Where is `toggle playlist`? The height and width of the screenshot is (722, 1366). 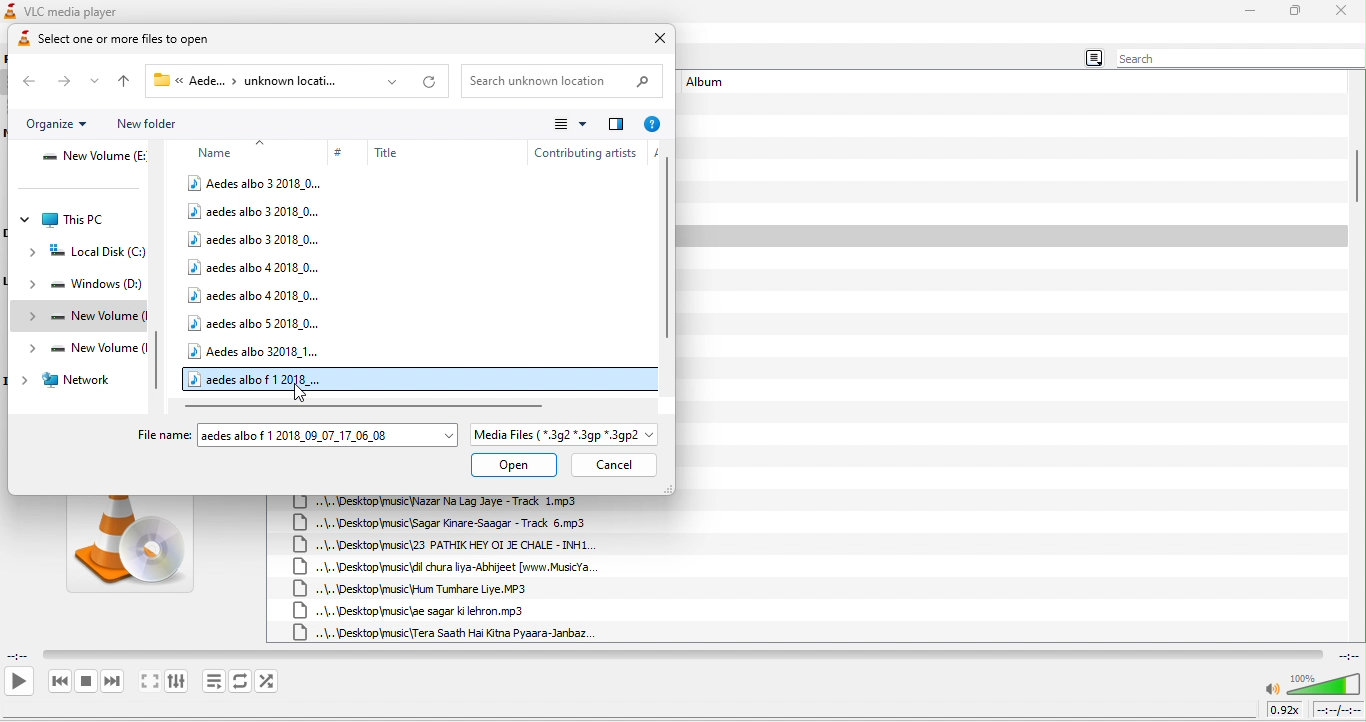
toggle playlist is located at coordinates (214, 681).